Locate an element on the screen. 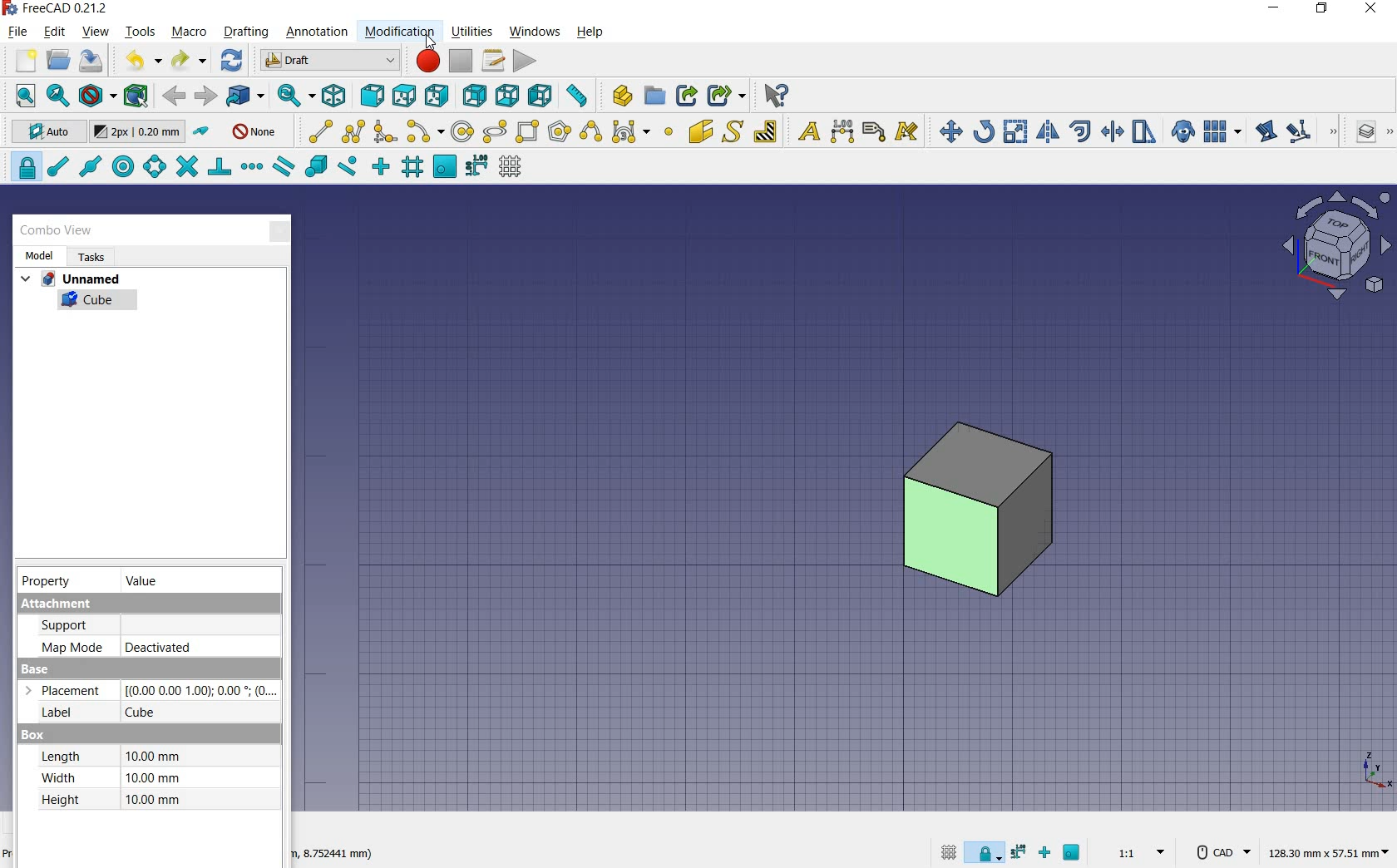 This screenshot has height=868, width=1397. move is located at coordinates (947, 131).